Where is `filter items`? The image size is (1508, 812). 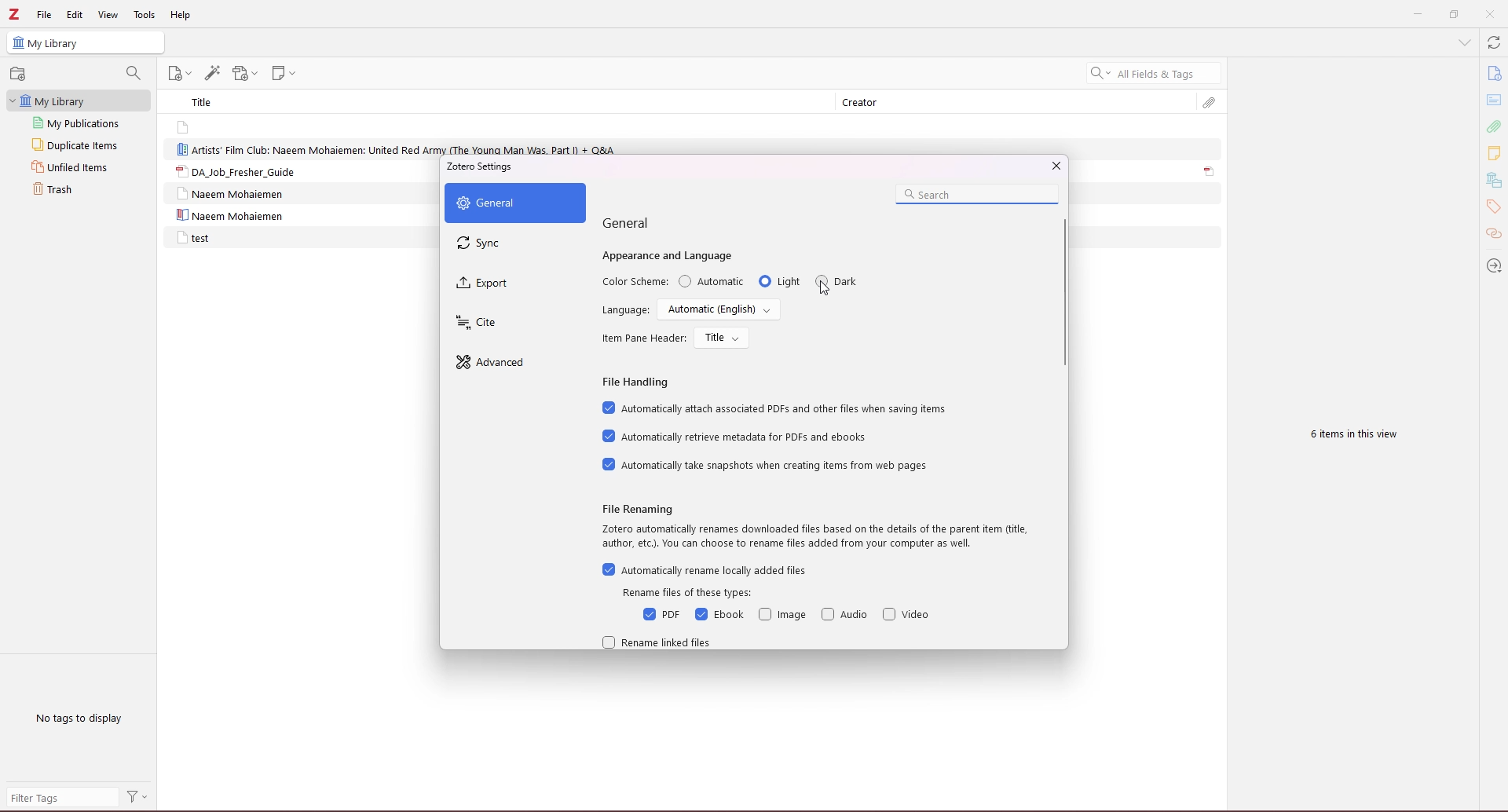
filter items is located at coordinates (134, 72).